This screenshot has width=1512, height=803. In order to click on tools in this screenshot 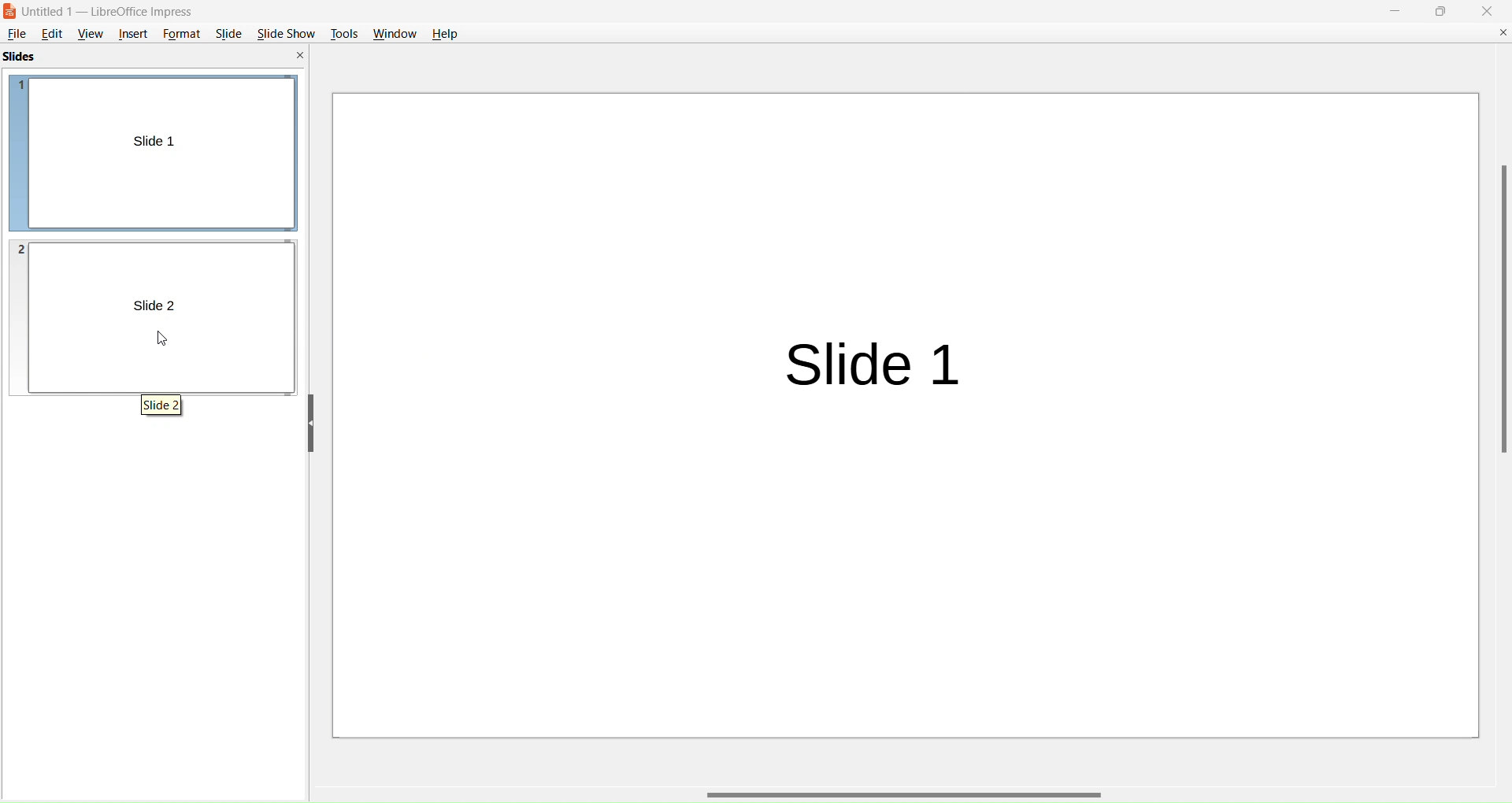, I will do `click(342, 32)`.